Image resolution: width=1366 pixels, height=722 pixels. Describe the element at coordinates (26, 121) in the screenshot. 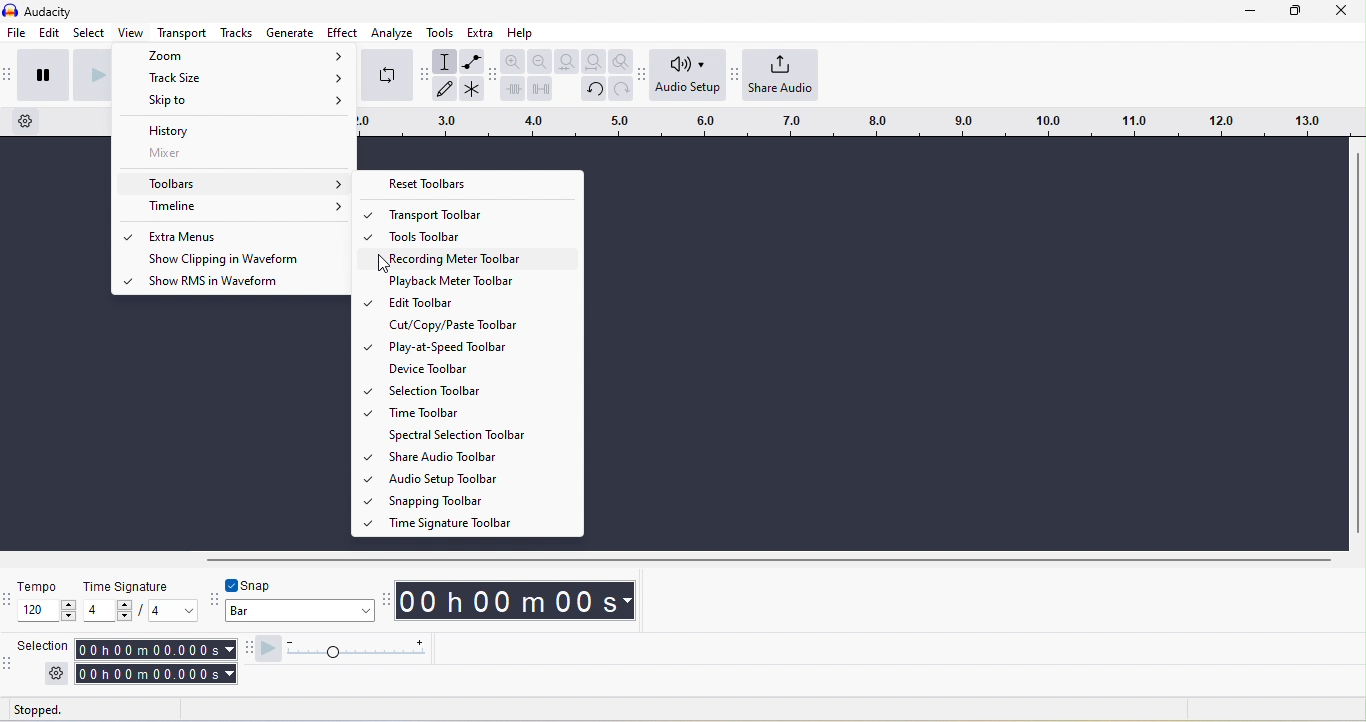

I see `timeline settings` at that location.